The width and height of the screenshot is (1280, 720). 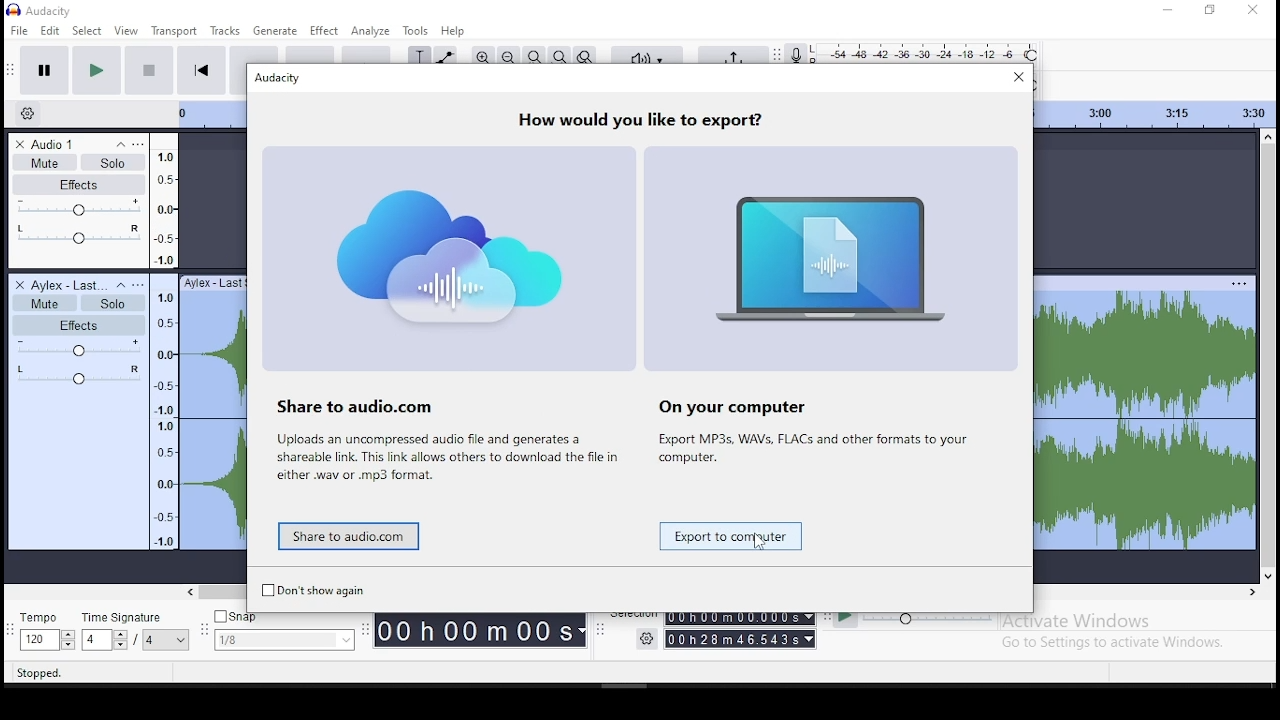 What do you see at coordinates (124, 285) in the screenshot?
I see `collapse` at bounding box center [124, 285].